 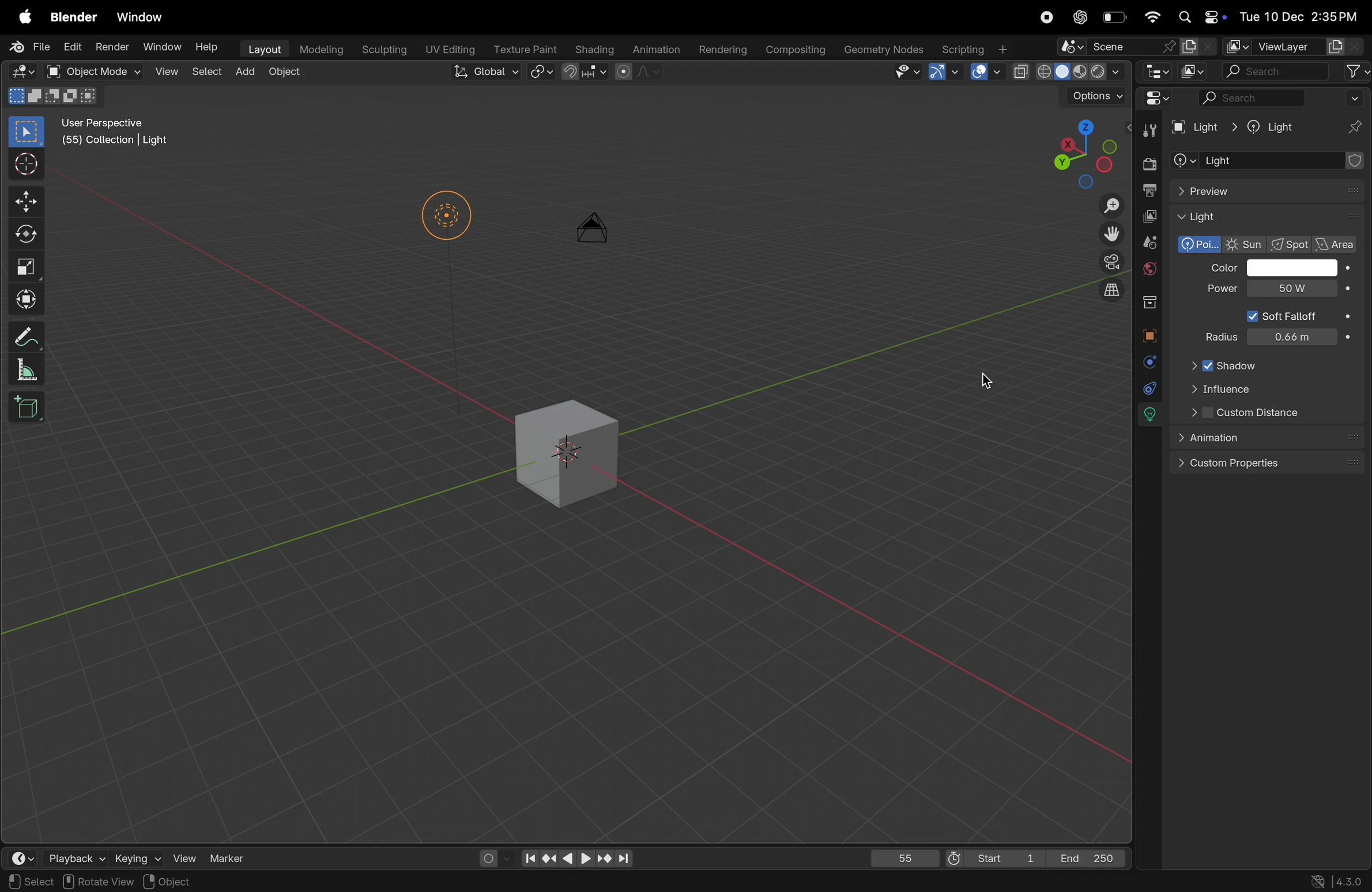 I want to click on camera, so click(x=597, y=235).